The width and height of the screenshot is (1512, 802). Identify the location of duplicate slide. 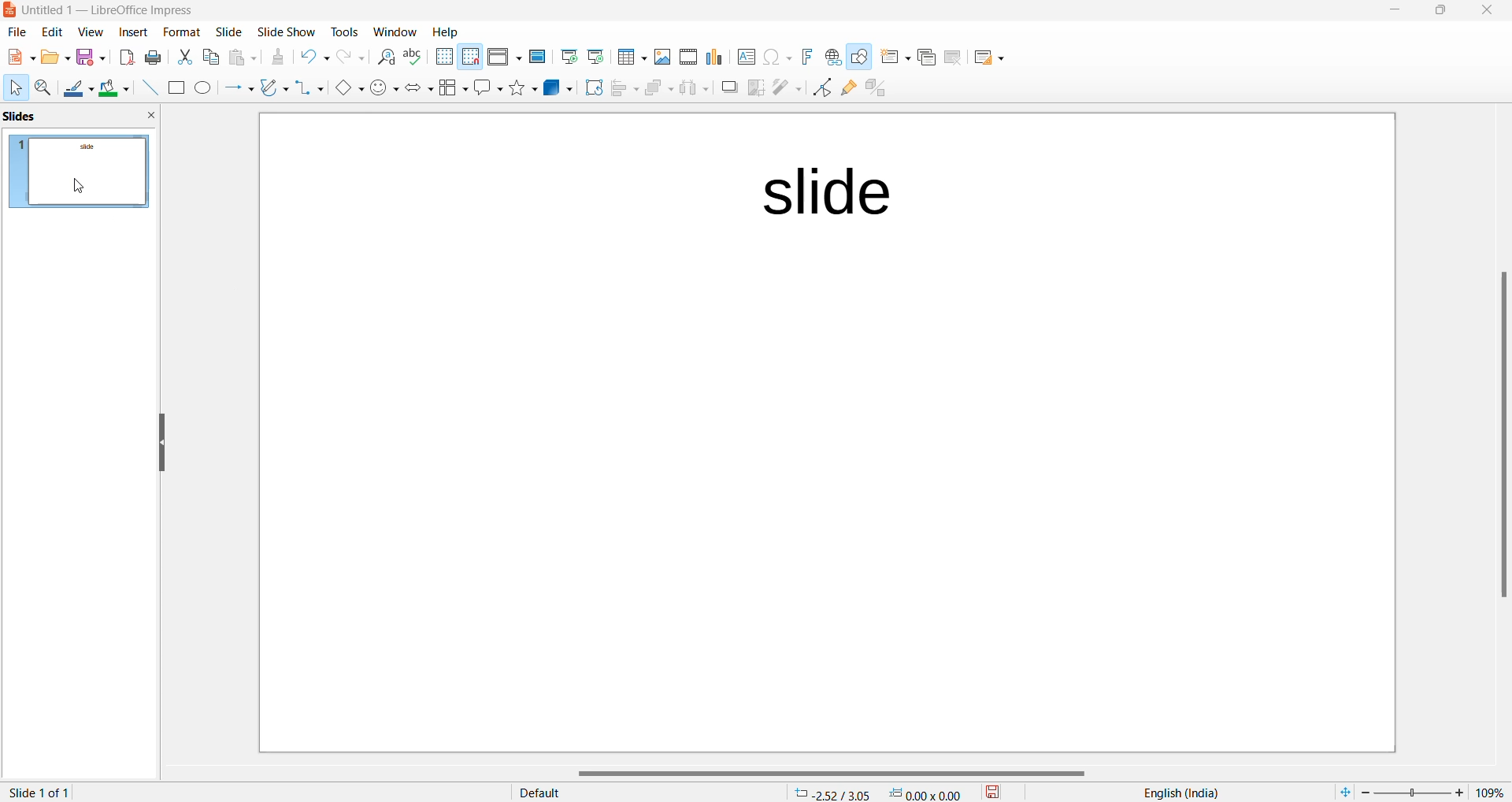
(925, 58).